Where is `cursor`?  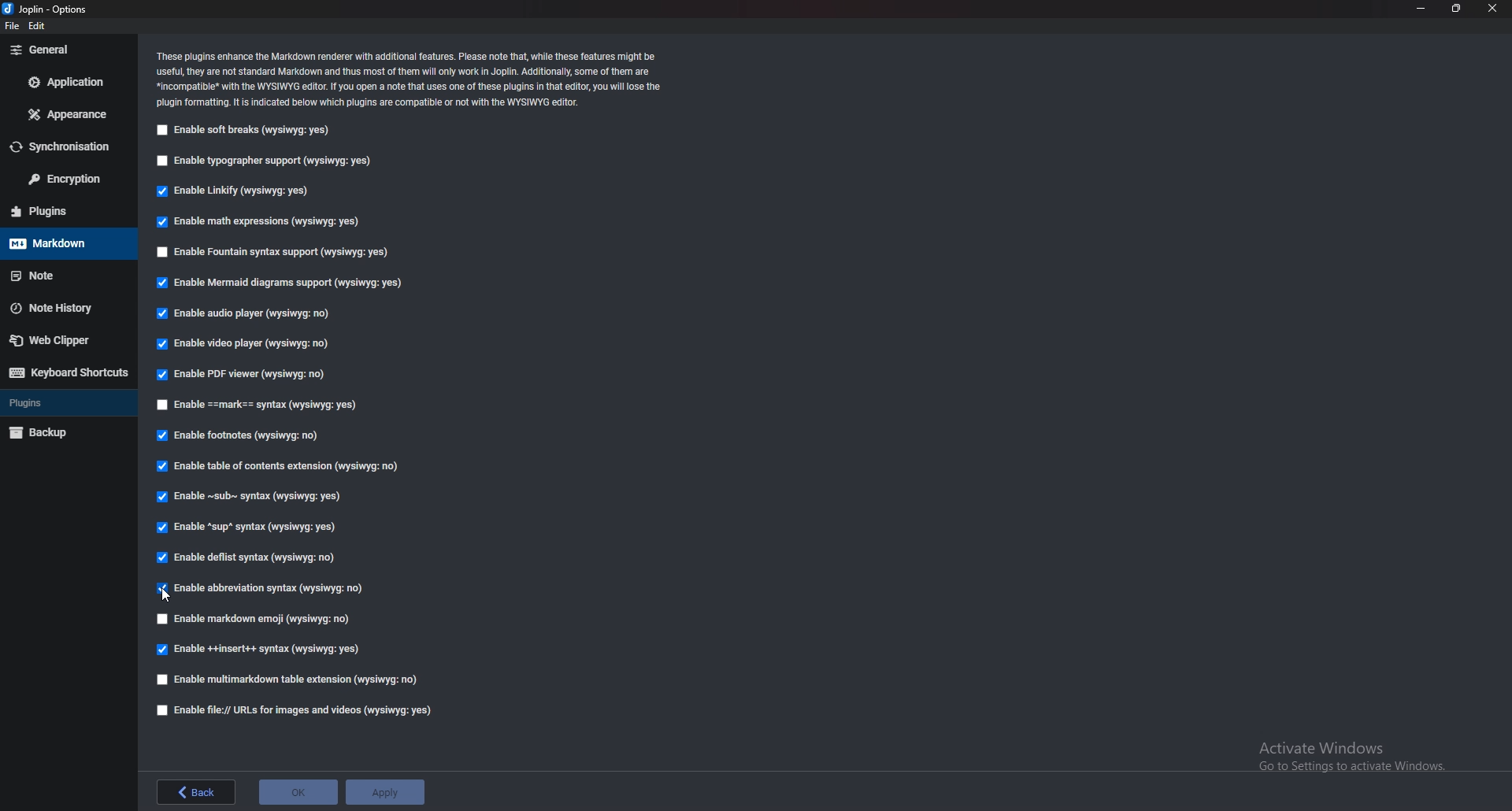 cursor is located at coordinates (168, 593).